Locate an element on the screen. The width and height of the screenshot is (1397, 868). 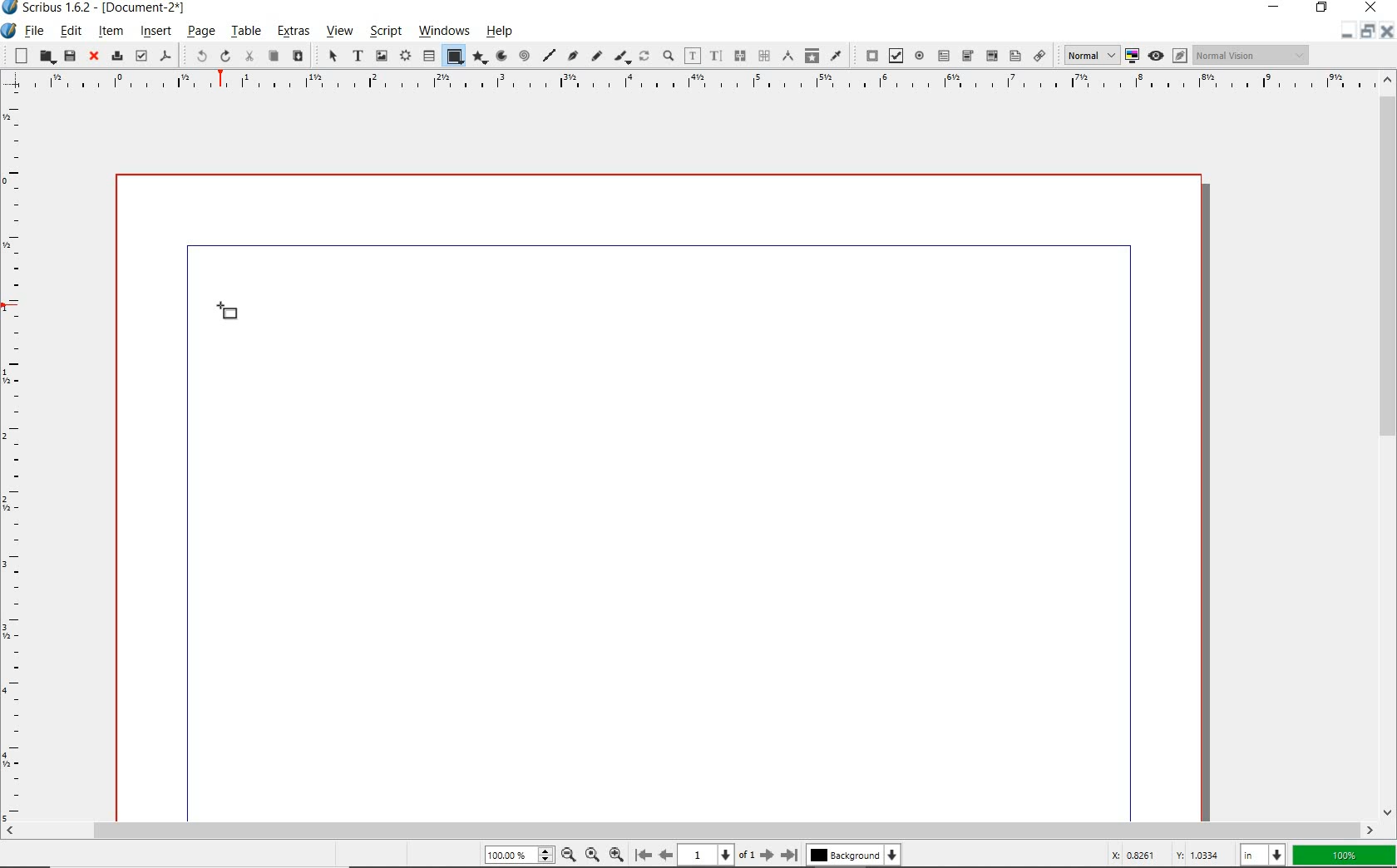
help is located at coordinates (502, 31).